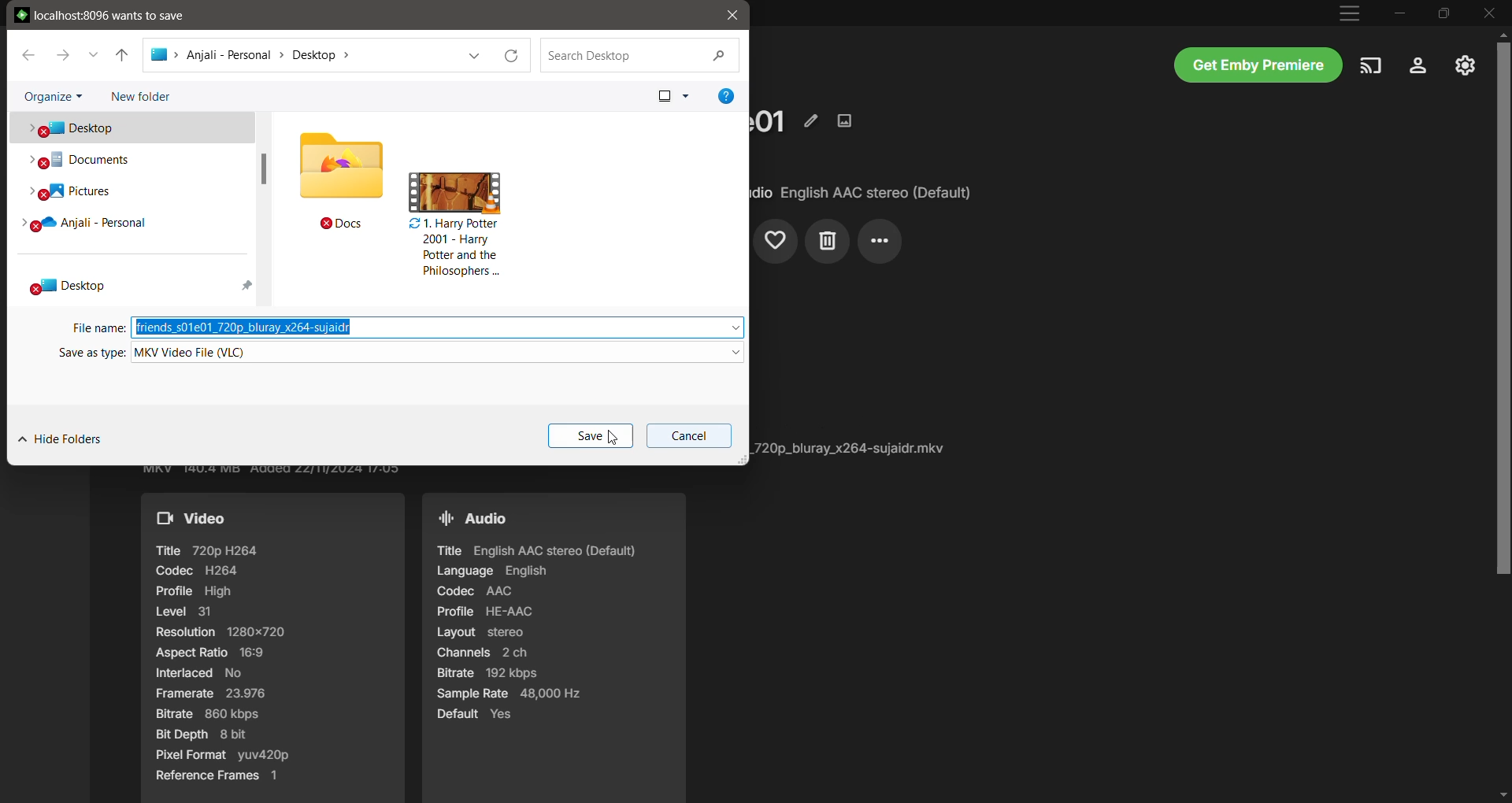  What do you see at coordinates (612, 438) in the screenshot?
I see `Cursor` at bounding box center [612, 438].